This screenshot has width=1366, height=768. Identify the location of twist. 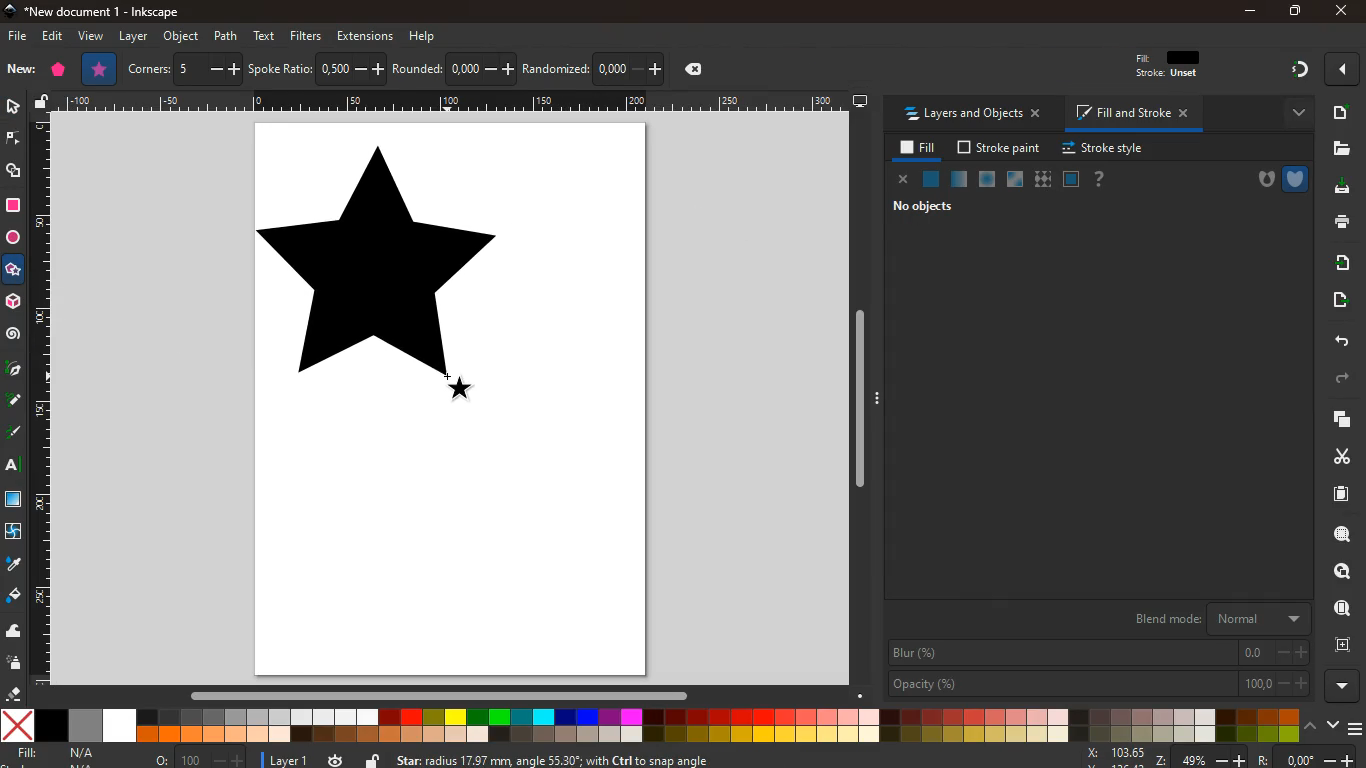
(15, 533).